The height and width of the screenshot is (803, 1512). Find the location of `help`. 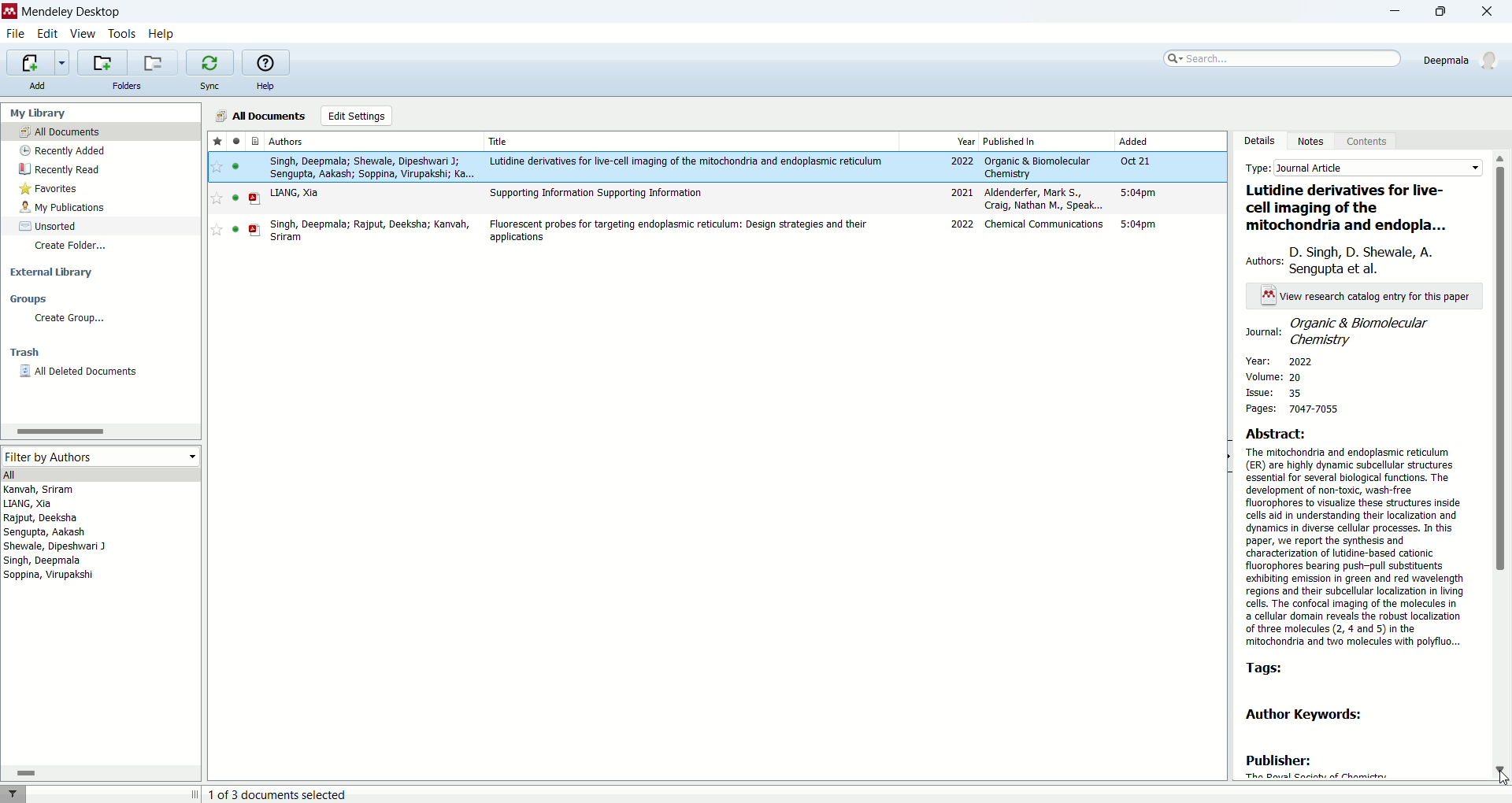

help is located at coordinates (265, 87).